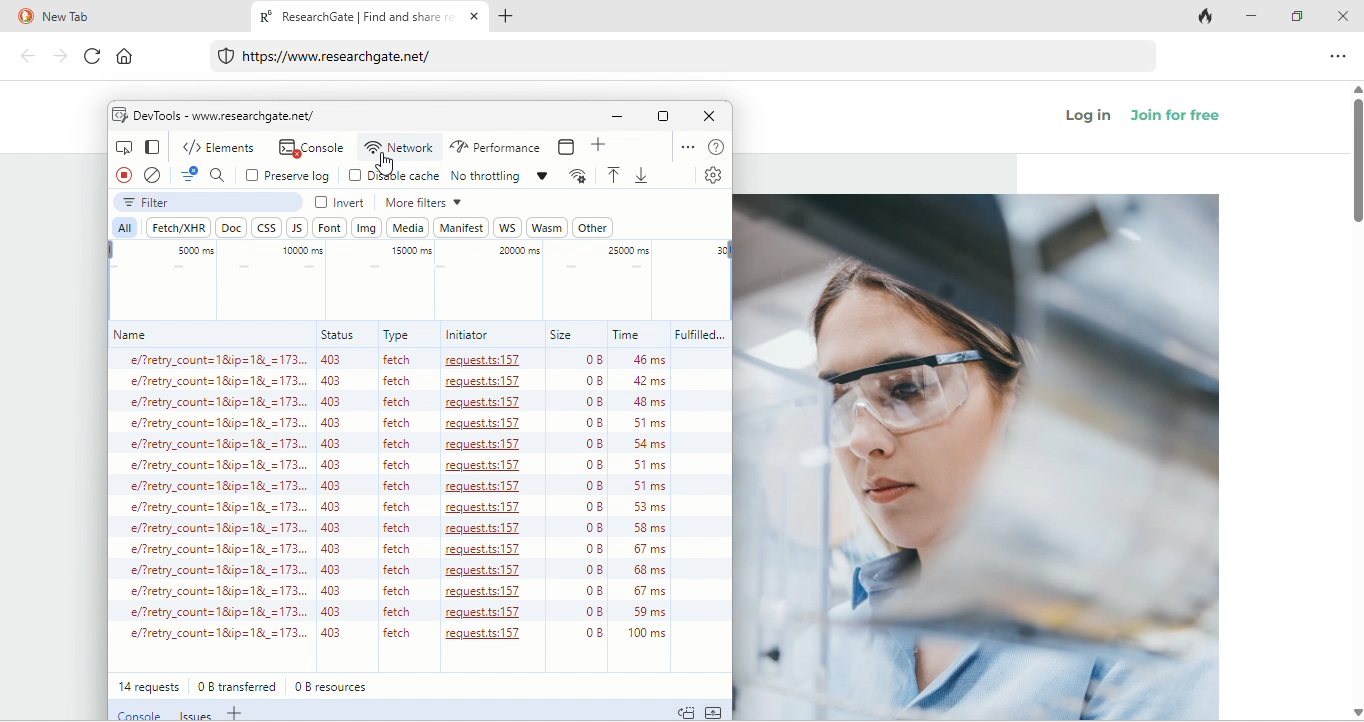  I want to click on add, so click(601, 148).